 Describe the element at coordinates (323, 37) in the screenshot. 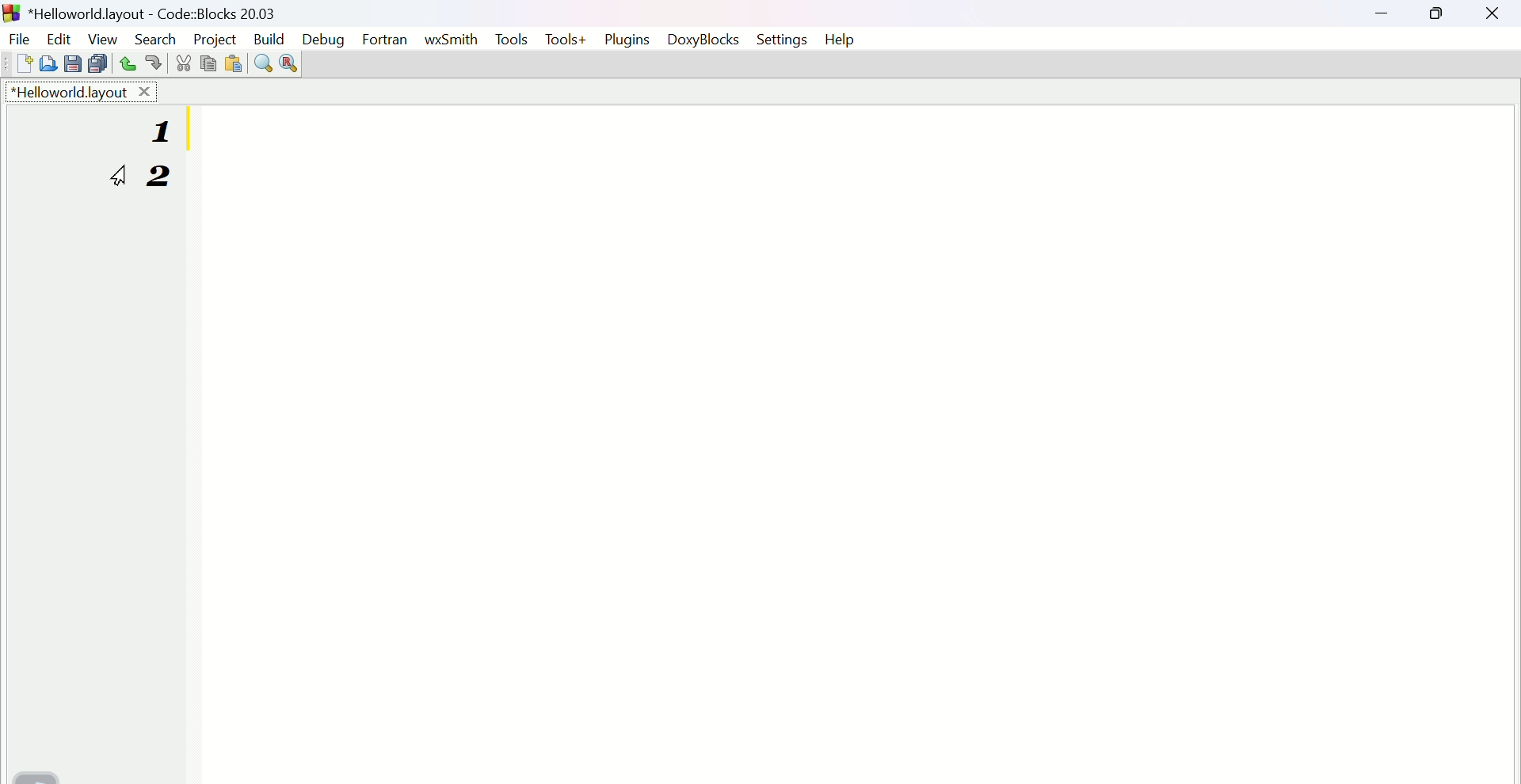

I see `Debug` at that location.